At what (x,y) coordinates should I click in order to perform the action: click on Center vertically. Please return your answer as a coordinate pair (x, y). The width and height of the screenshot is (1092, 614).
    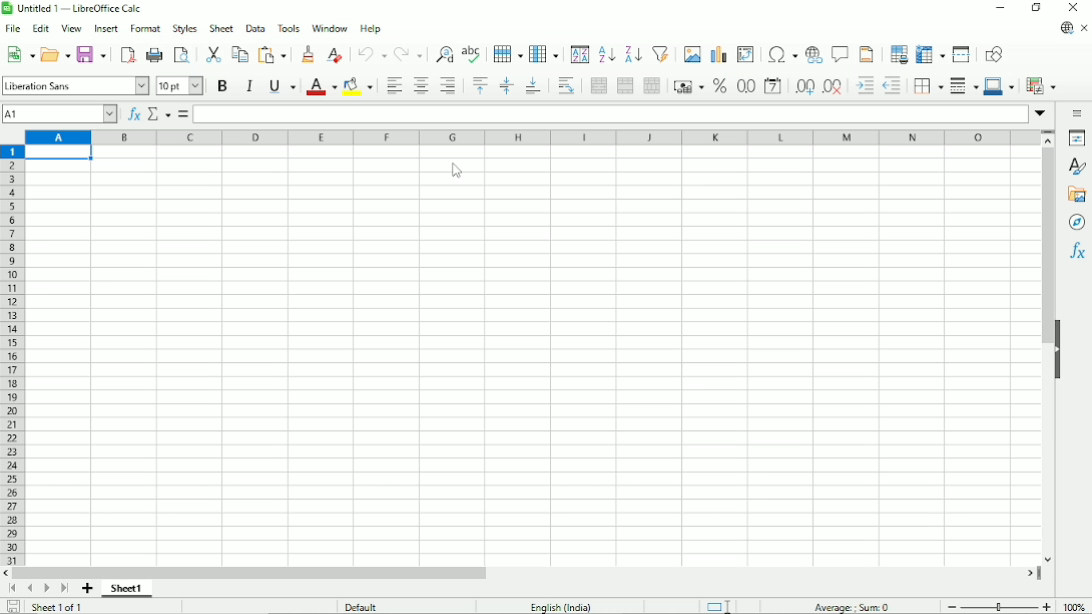
    Looking at the image, I should click on (506, 86).